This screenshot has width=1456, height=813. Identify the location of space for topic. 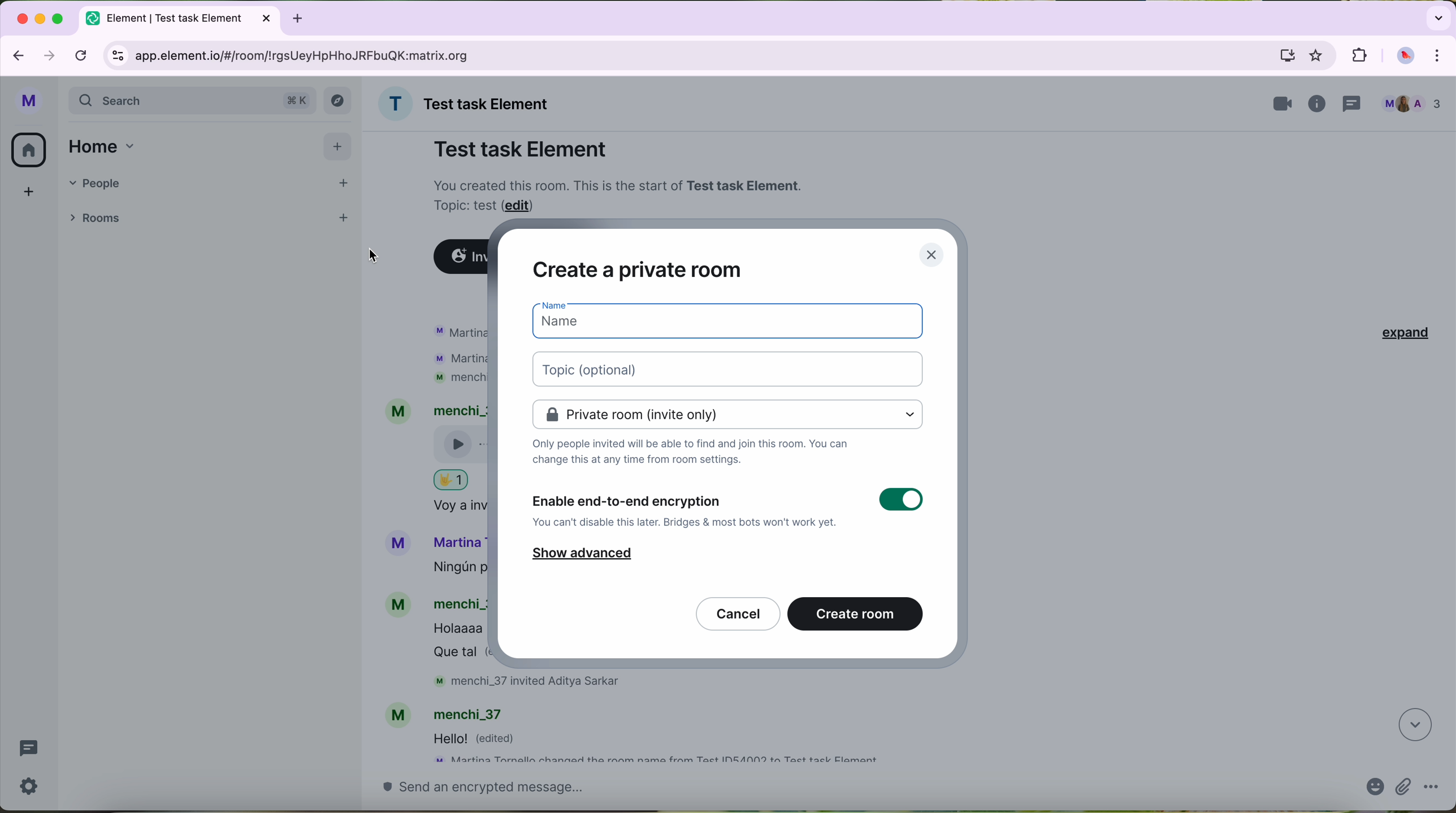
(730, 370).